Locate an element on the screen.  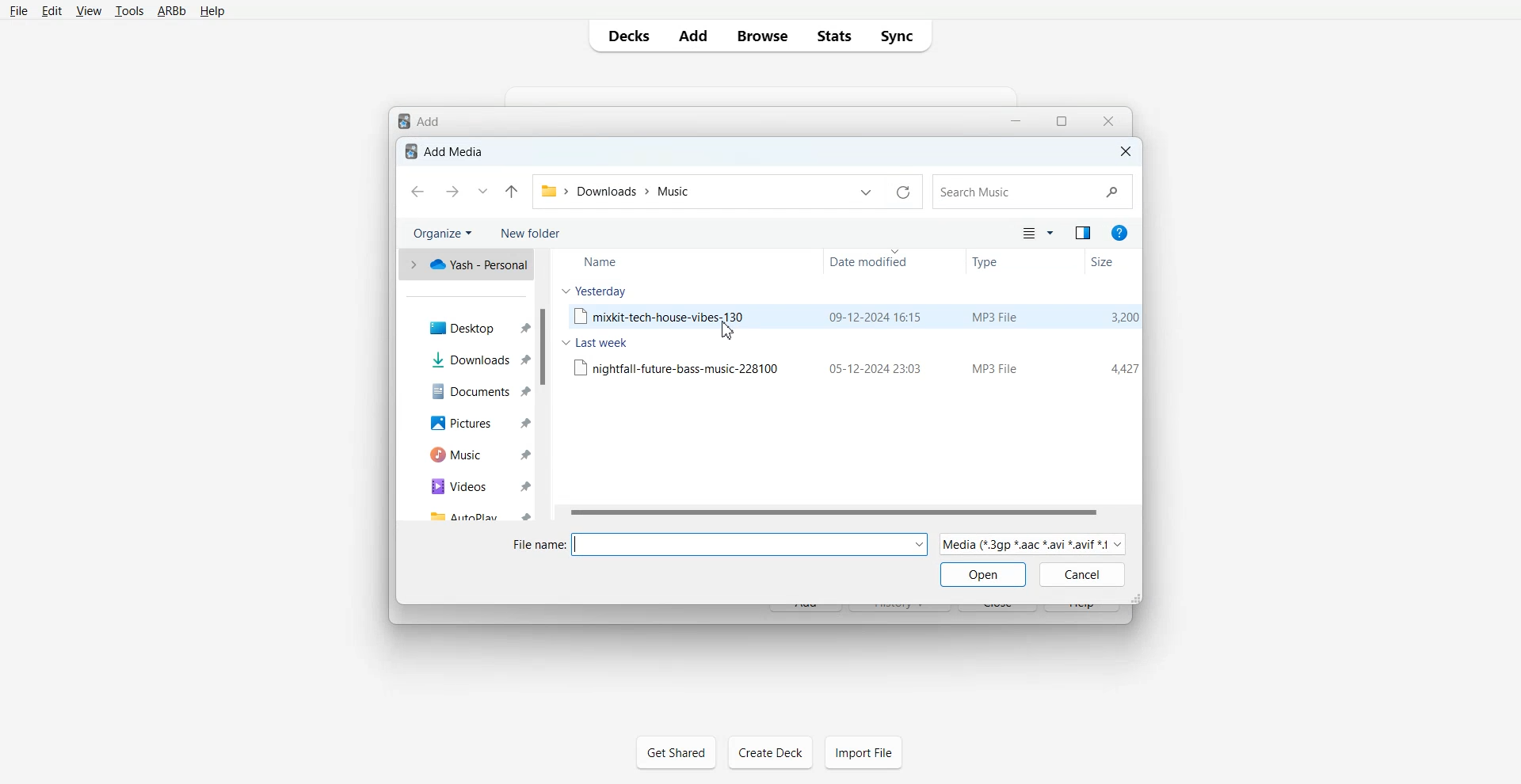
Date modified is located at coordinates (875, 261).